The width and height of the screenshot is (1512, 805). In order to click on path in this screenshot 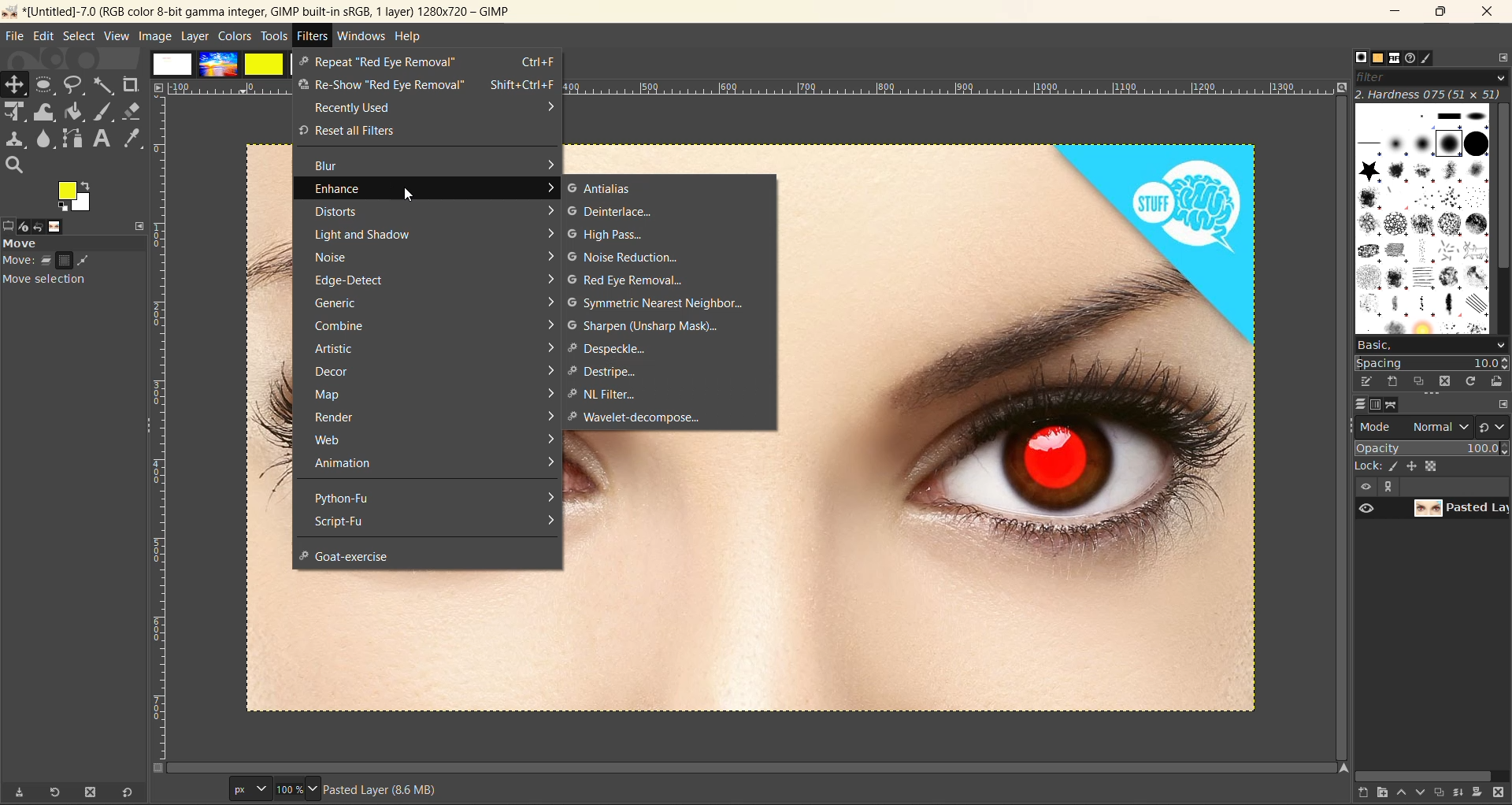, I will do `click(1398, 406)`.